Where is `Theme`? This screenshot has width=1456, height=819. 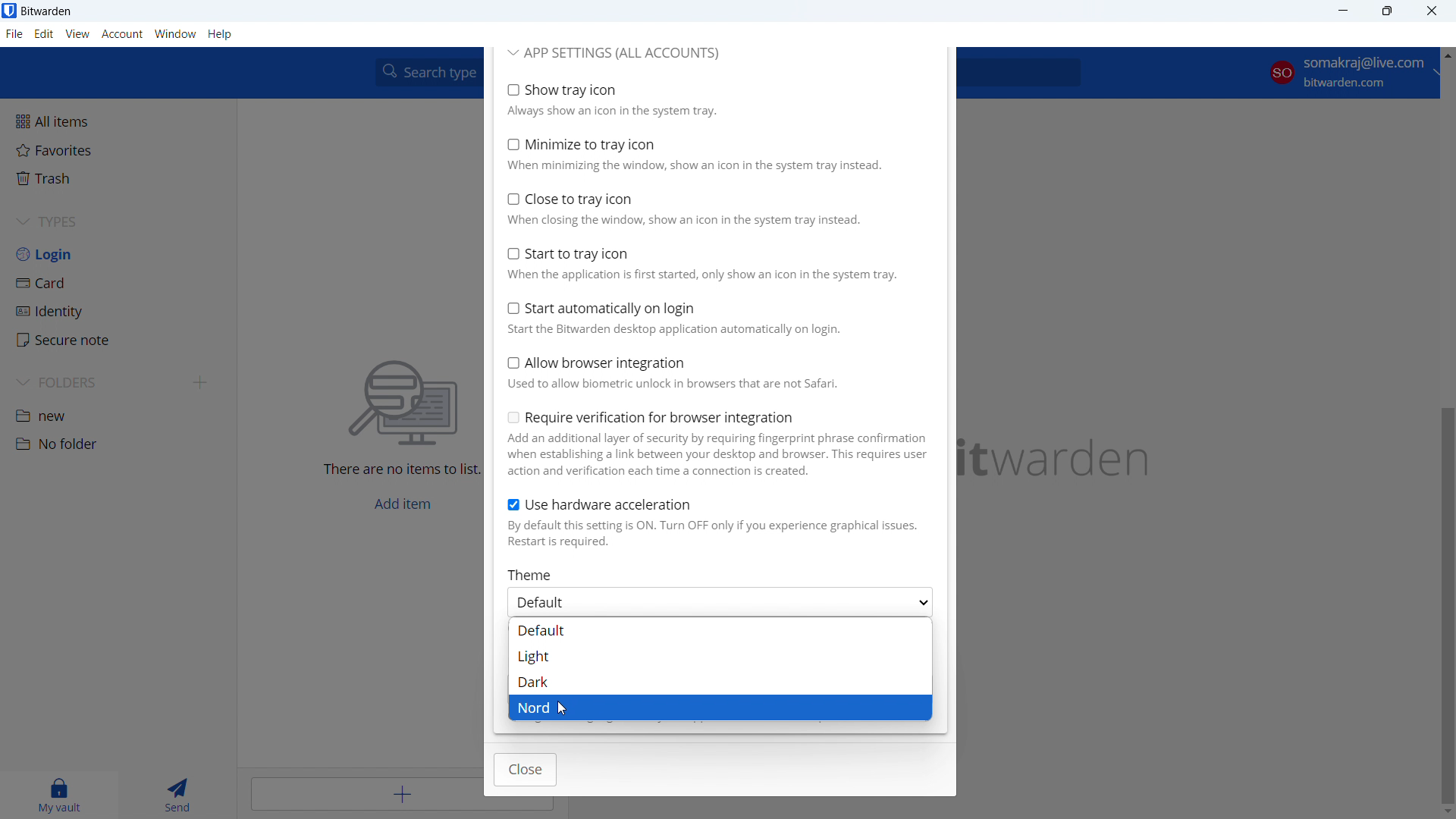
Theme is located at coordinates (533, 574).